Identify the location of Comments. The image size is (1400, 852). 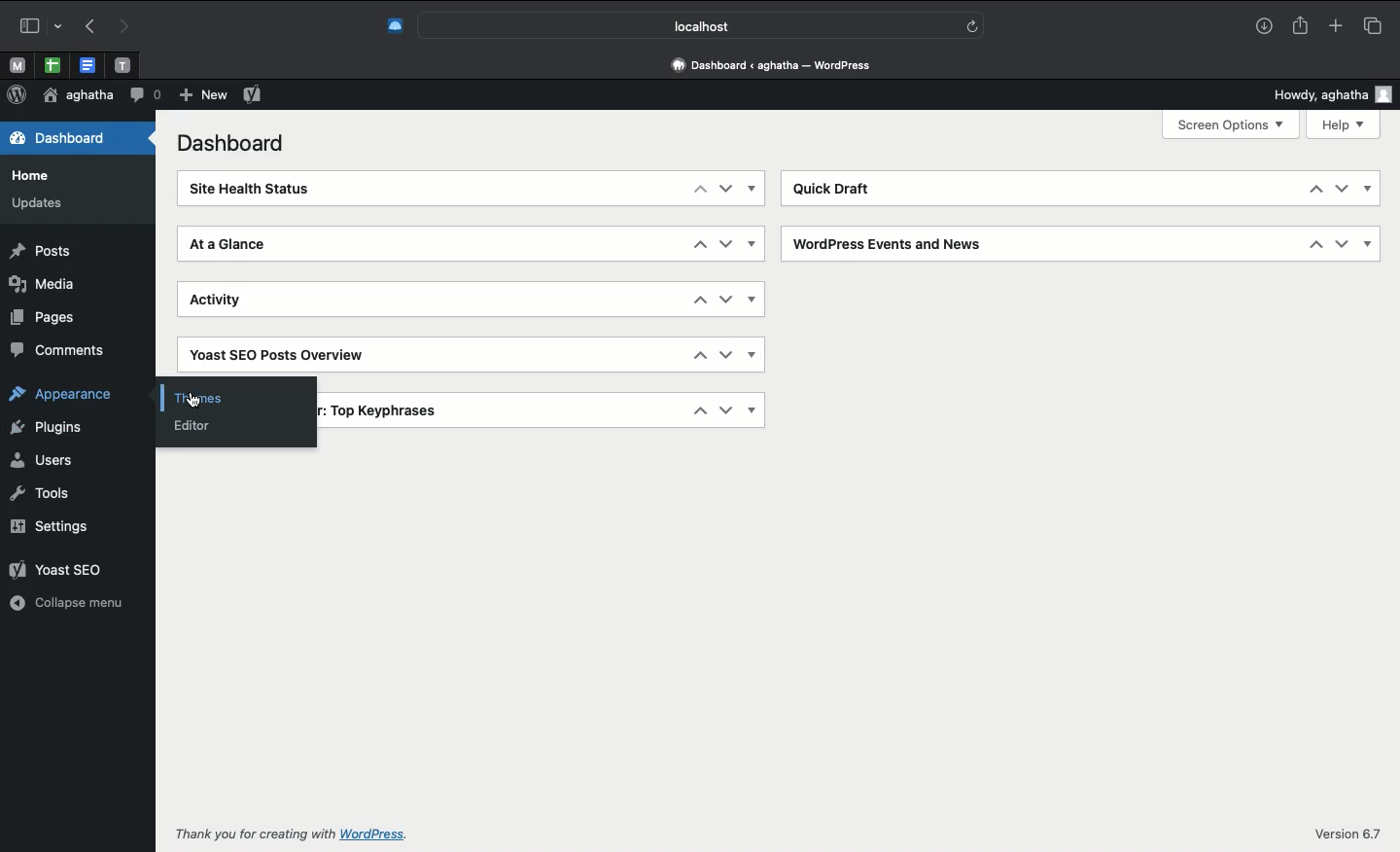
(63, 352).